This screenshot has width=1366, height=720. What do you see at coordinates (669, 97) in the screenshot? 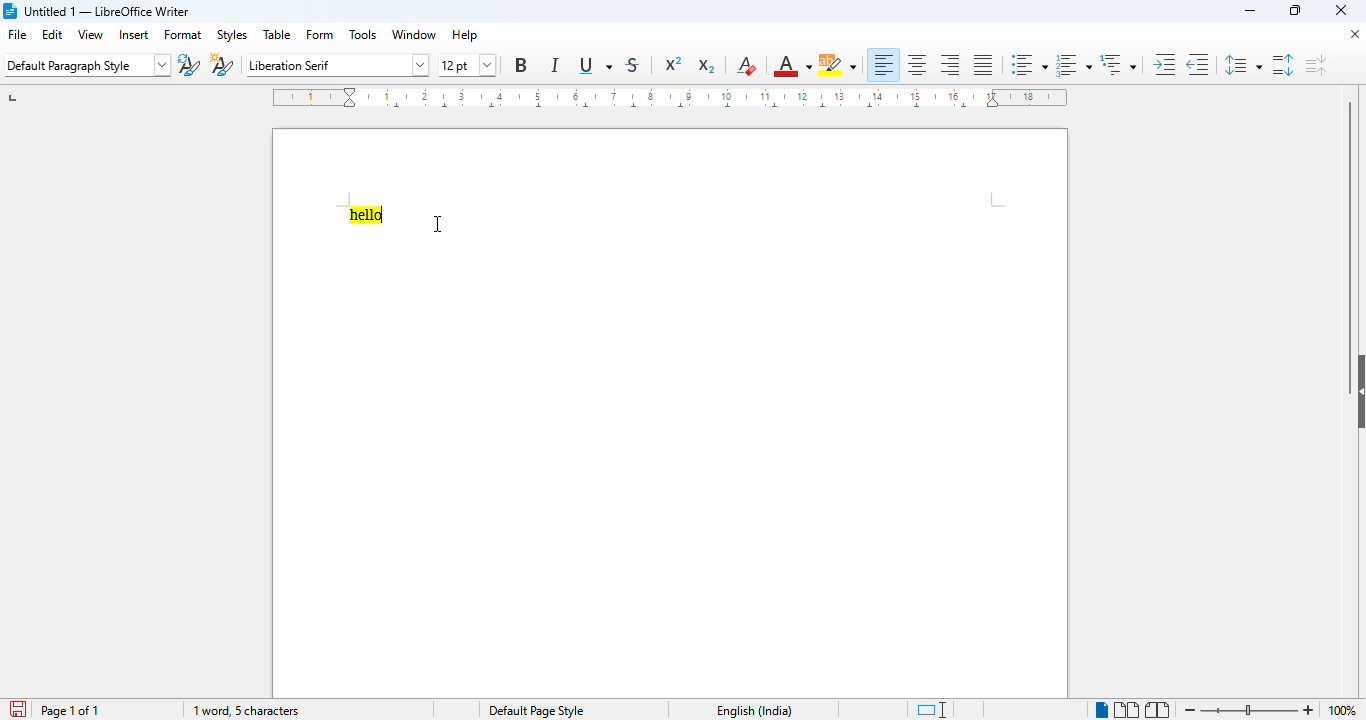
I see `ruler` at bounding box center [669, 97].